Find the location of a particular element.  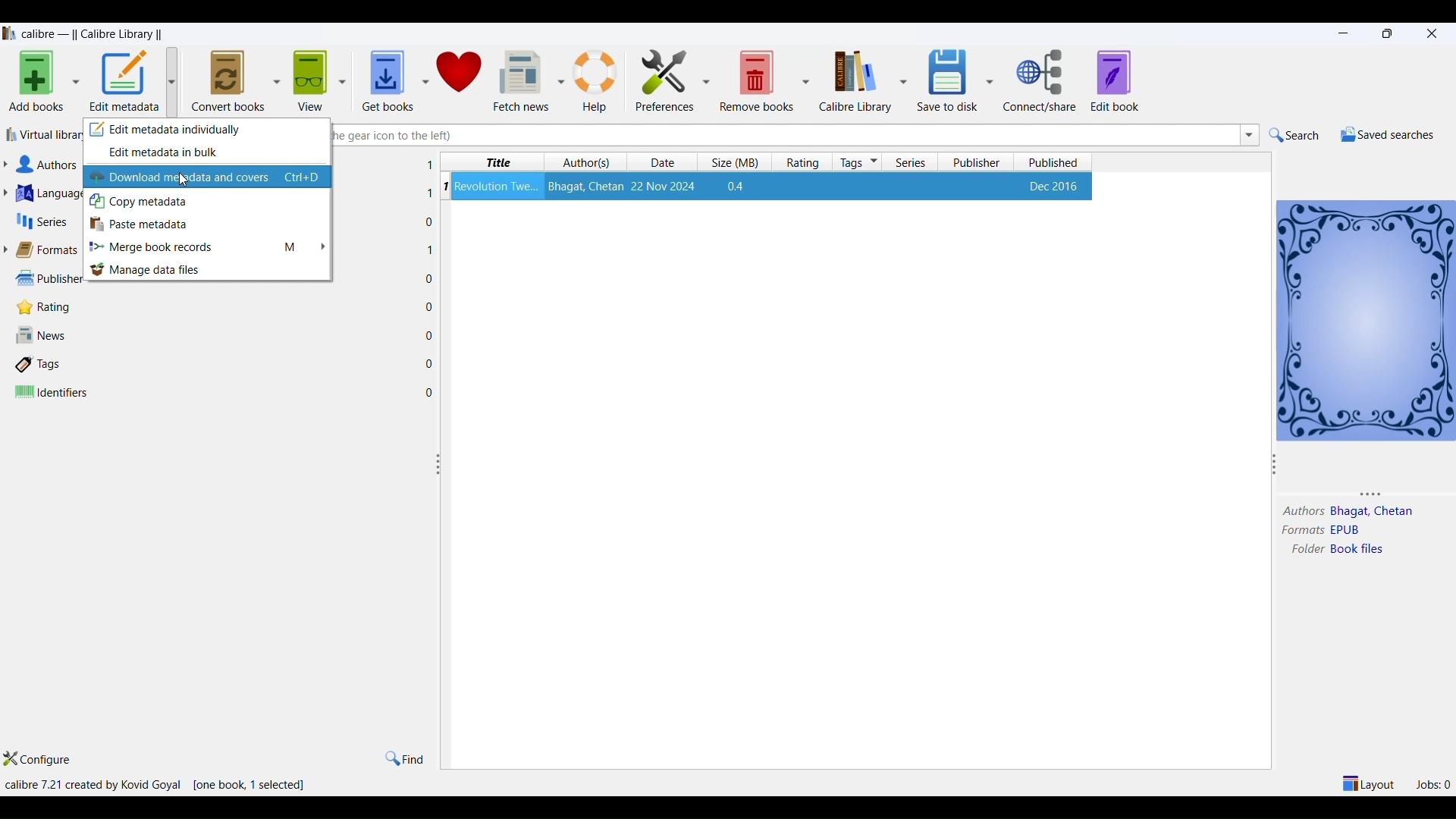

edit metadata is located at coordinates (126, 80).